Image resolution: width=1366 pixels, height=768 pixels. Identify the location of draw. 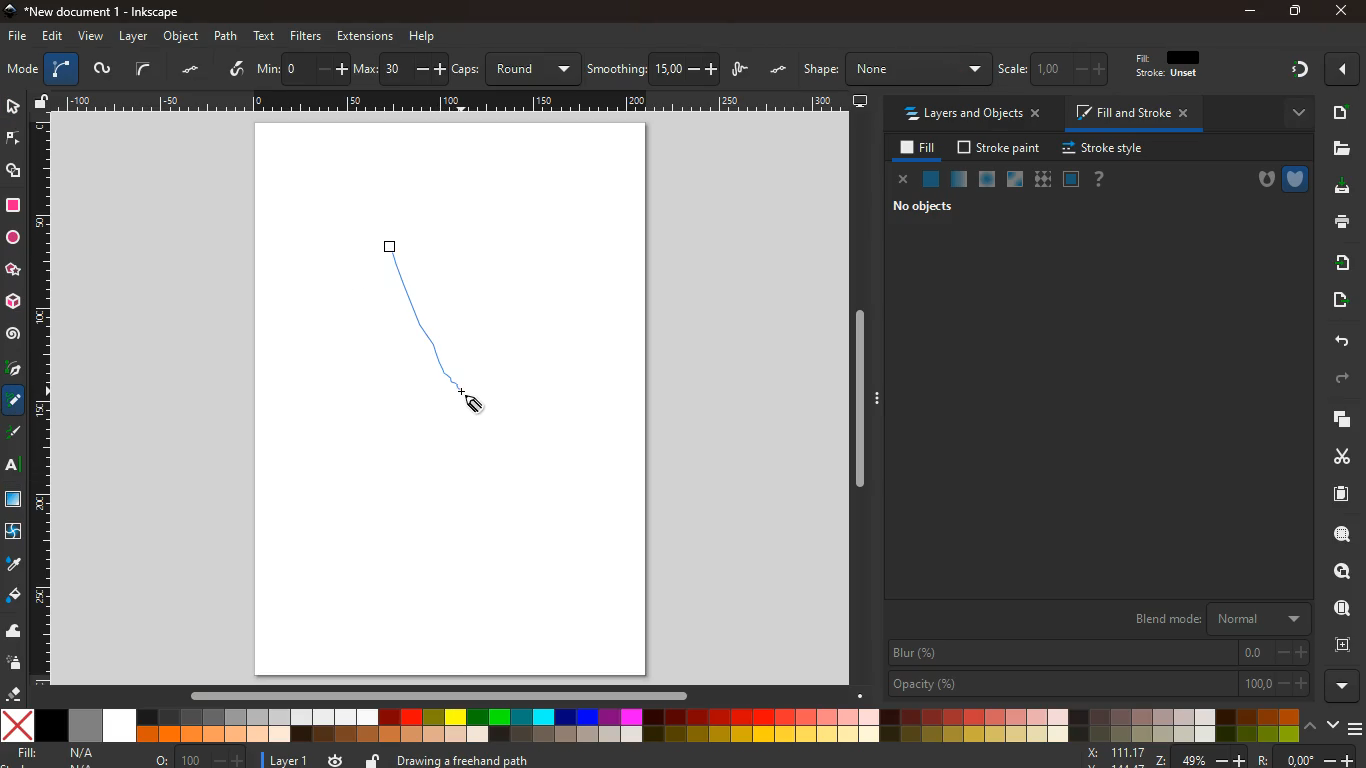
(15, 436).